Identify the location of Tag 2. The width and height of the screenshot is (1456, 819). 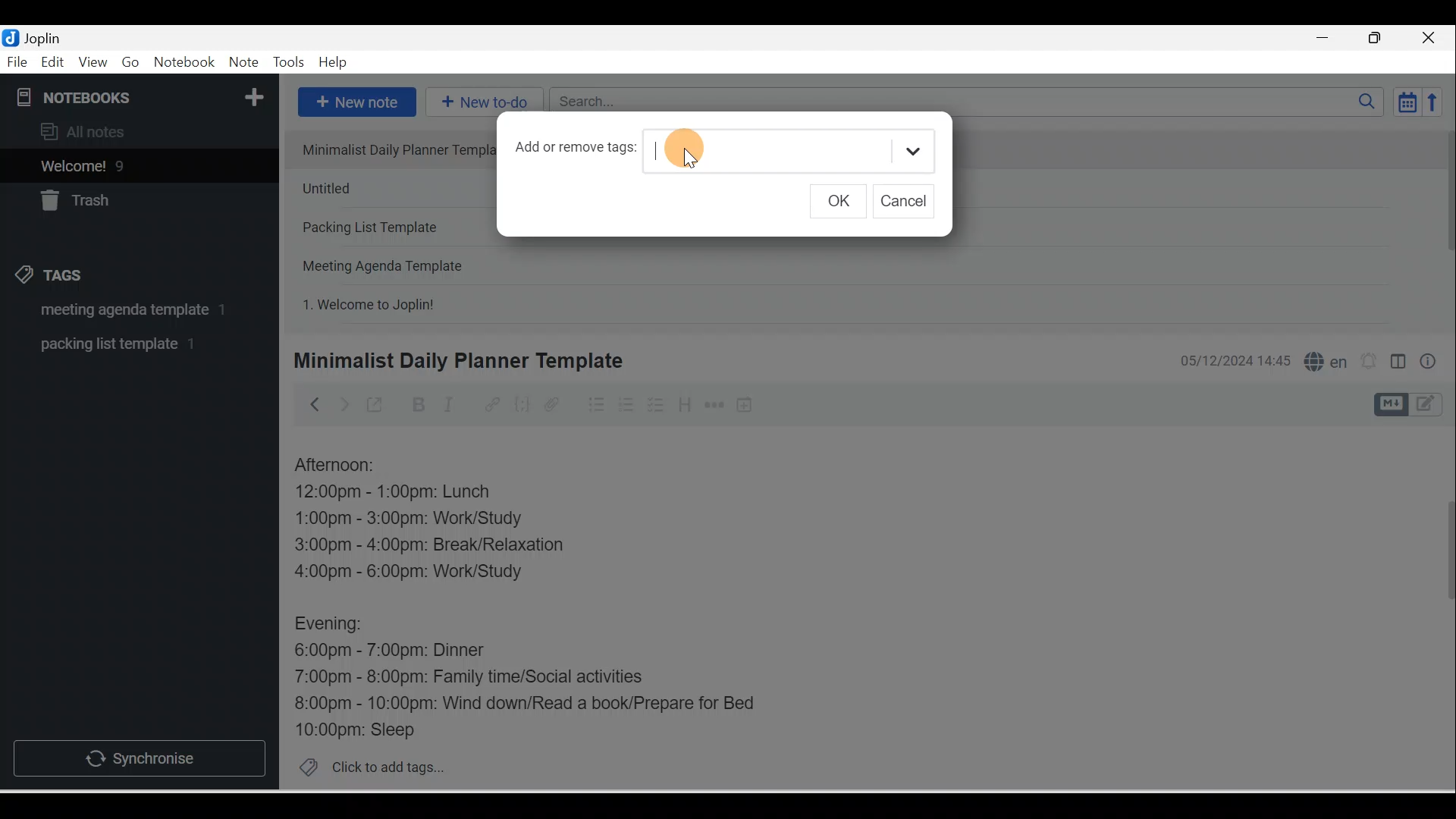
(128, 344).